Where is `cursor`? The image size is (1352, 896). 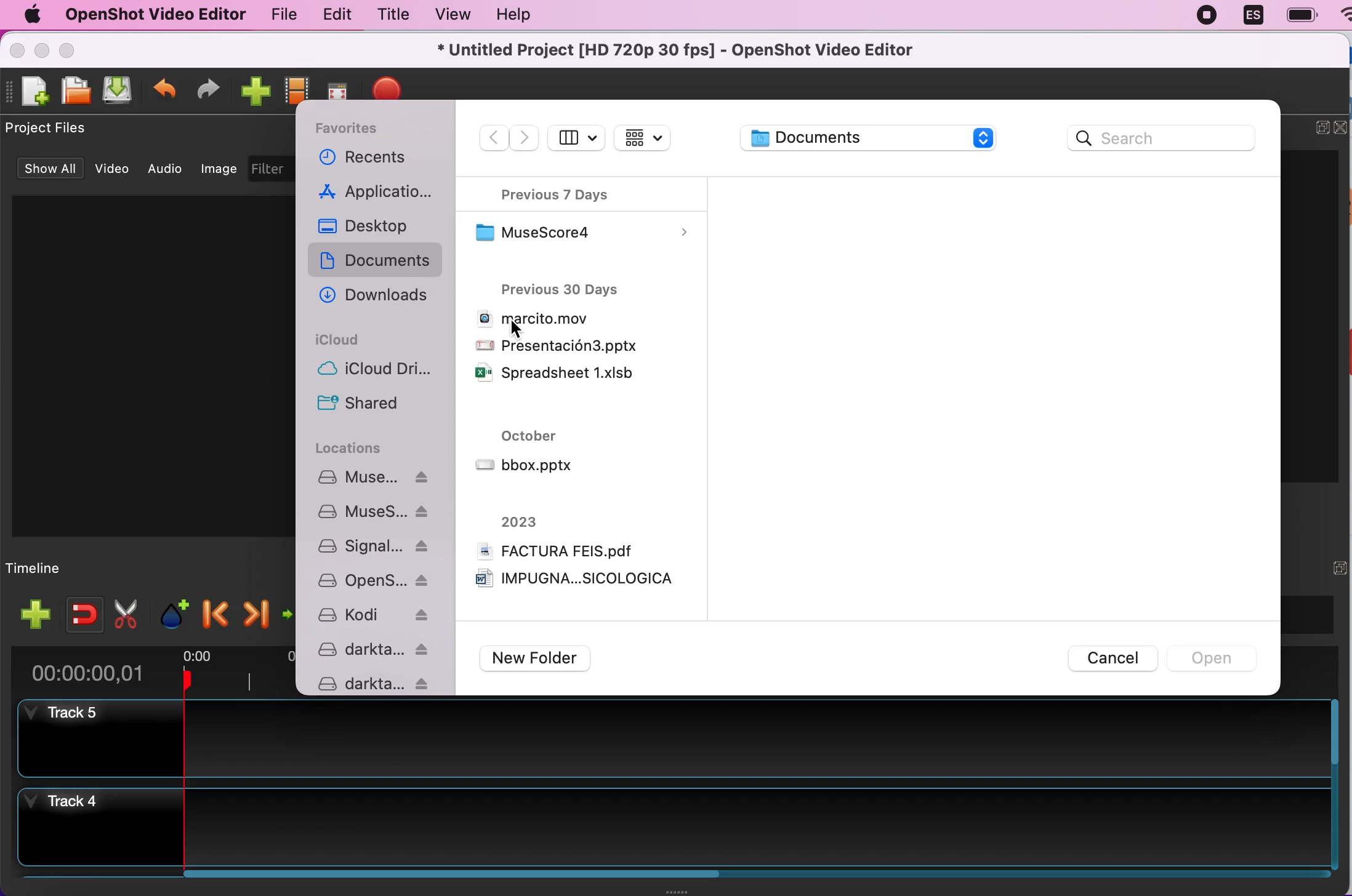
cursor is located at coordinates (518, 334).